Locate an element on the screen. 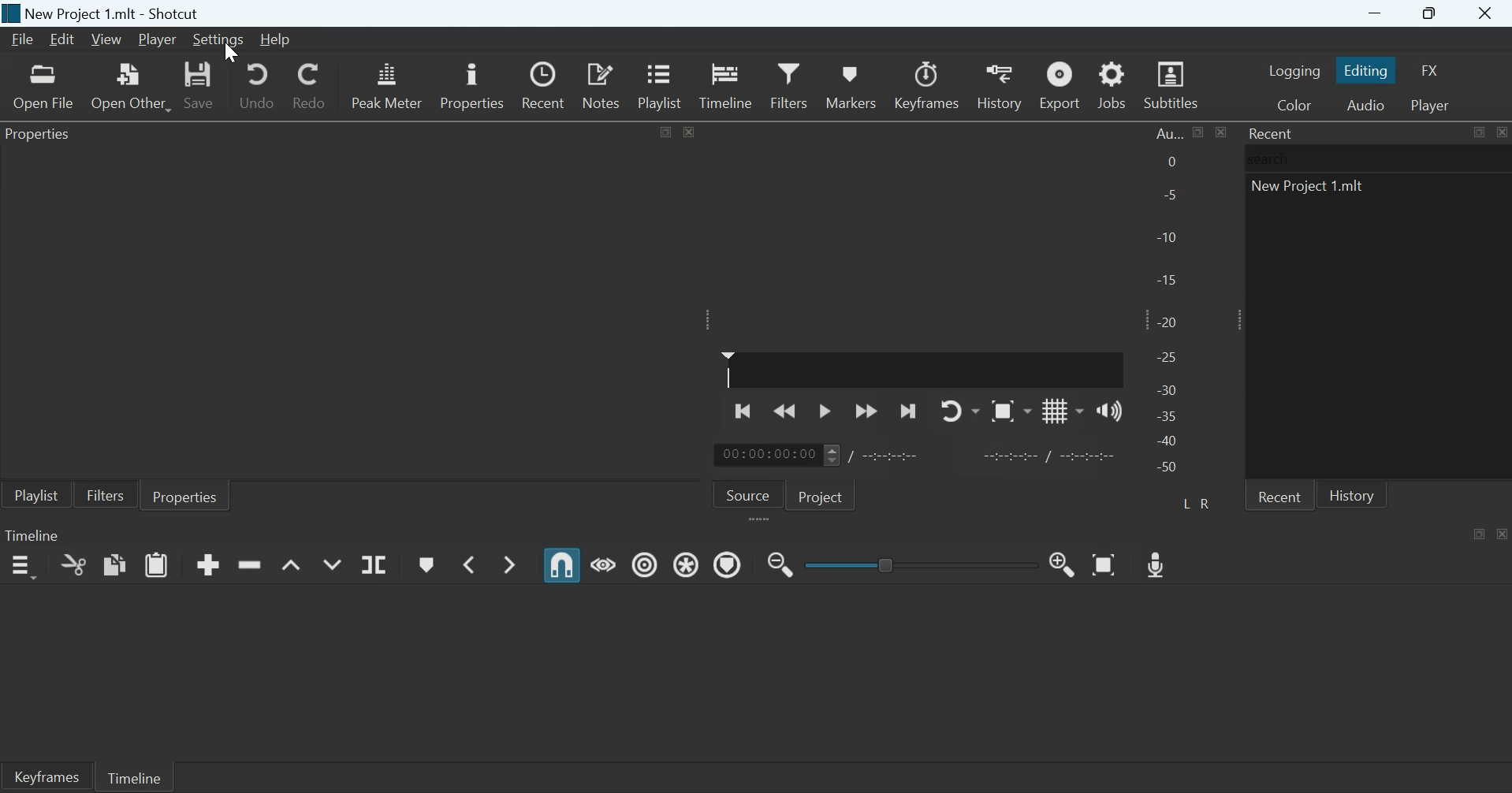 This screenshot has height=793, width=1512. Maximize is located at coordinates (1478, 132).